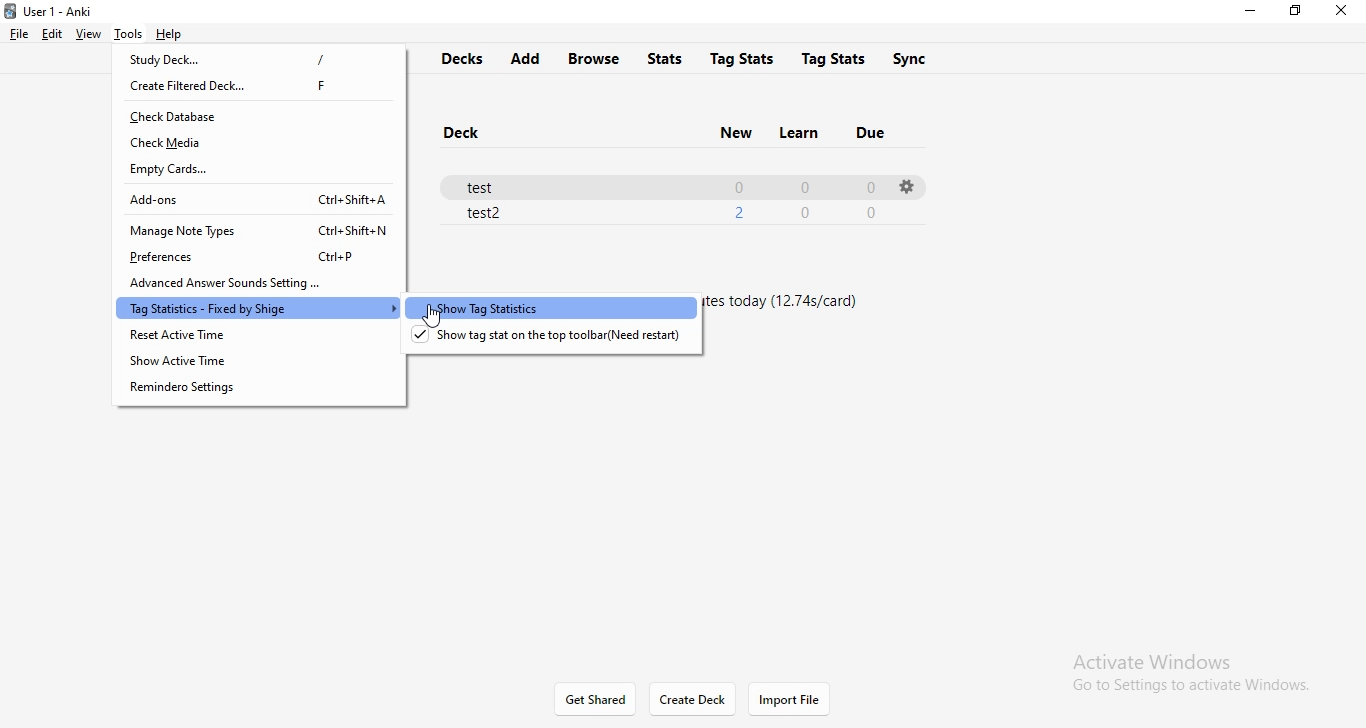  I want to click on new, so click(726, 132).